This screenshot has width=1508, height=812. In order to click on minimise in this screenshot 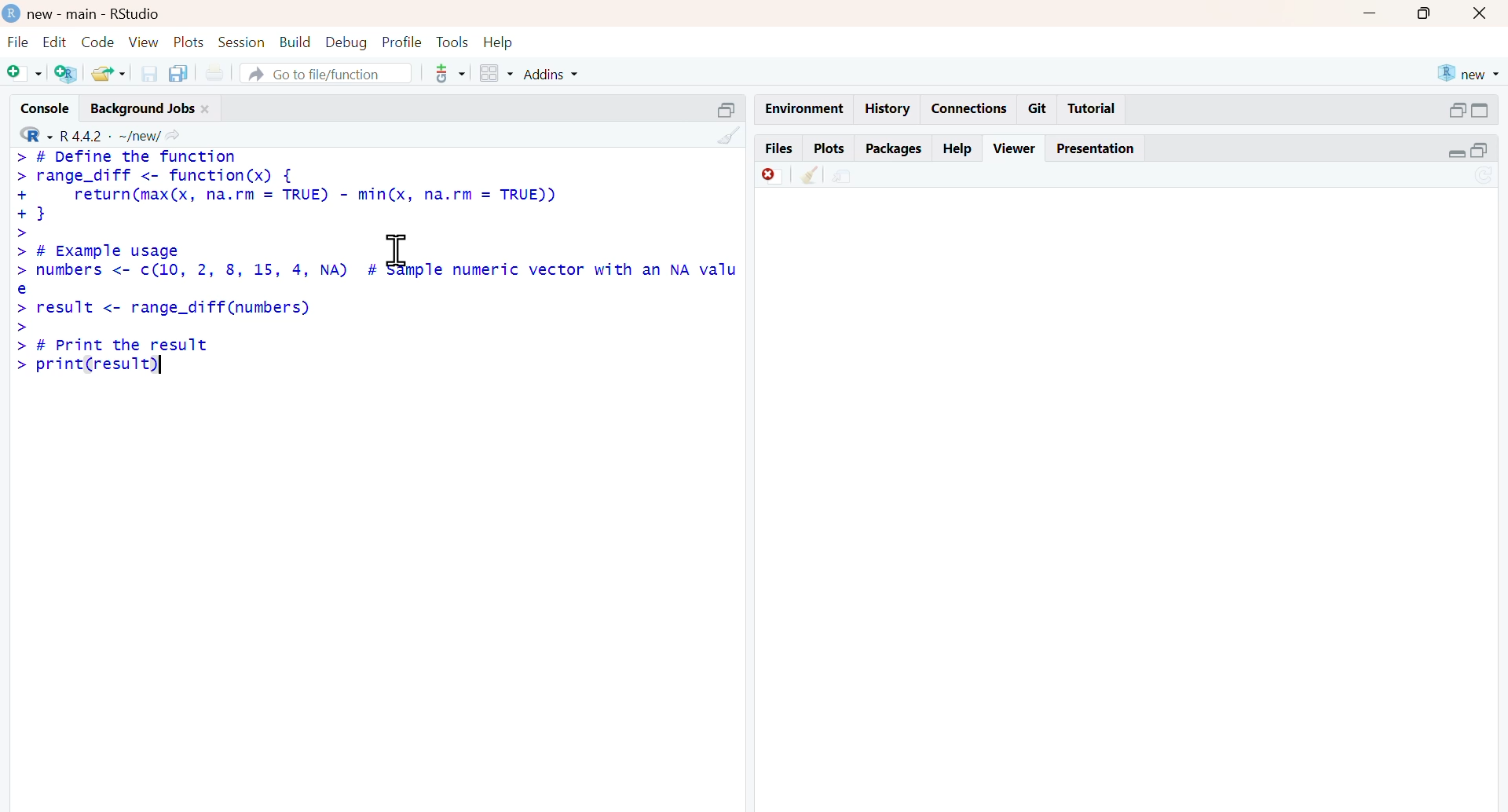, I will do `click(1371, 13)`.